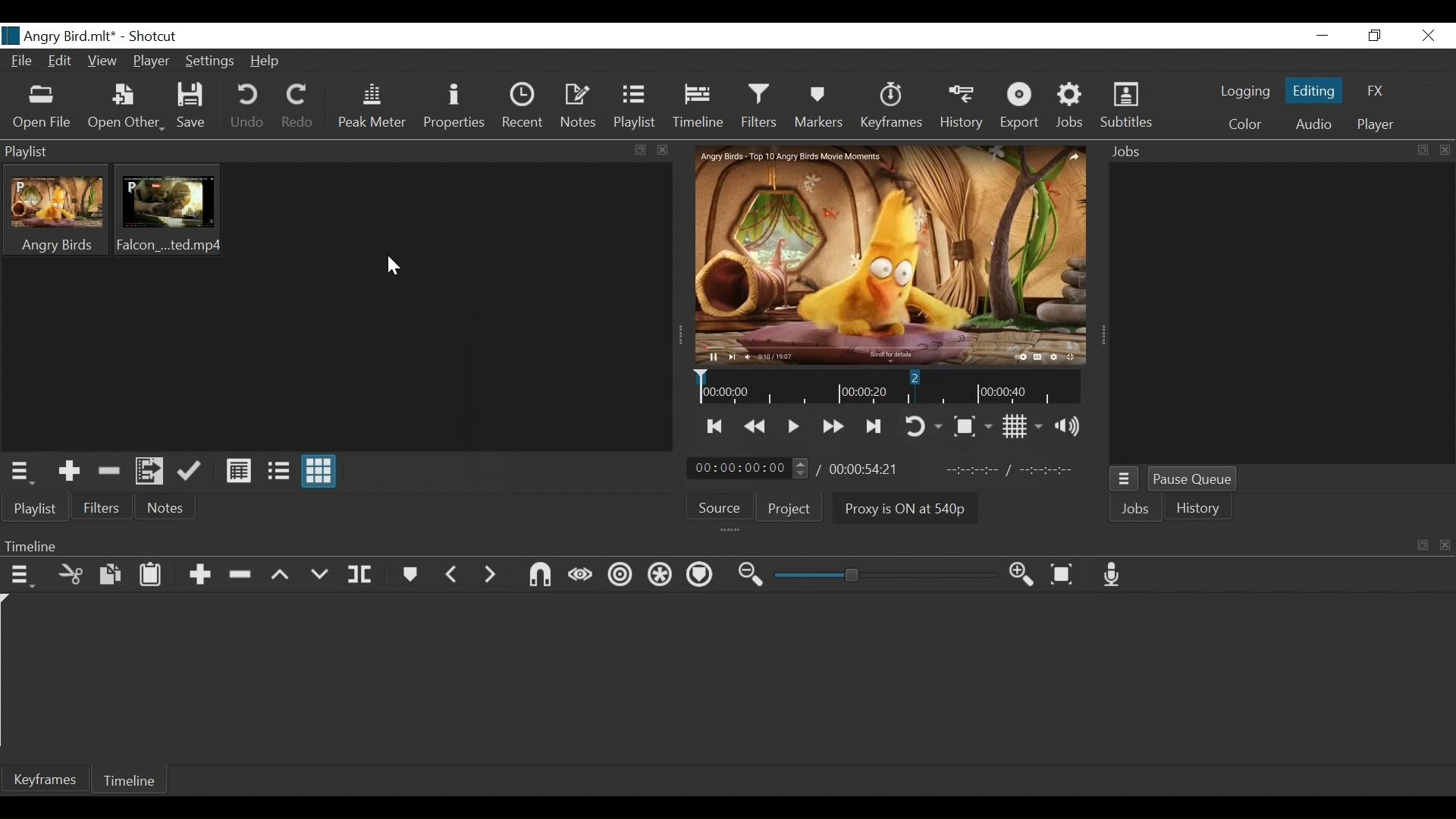  I want to click on Editing, so click(1313, 90).